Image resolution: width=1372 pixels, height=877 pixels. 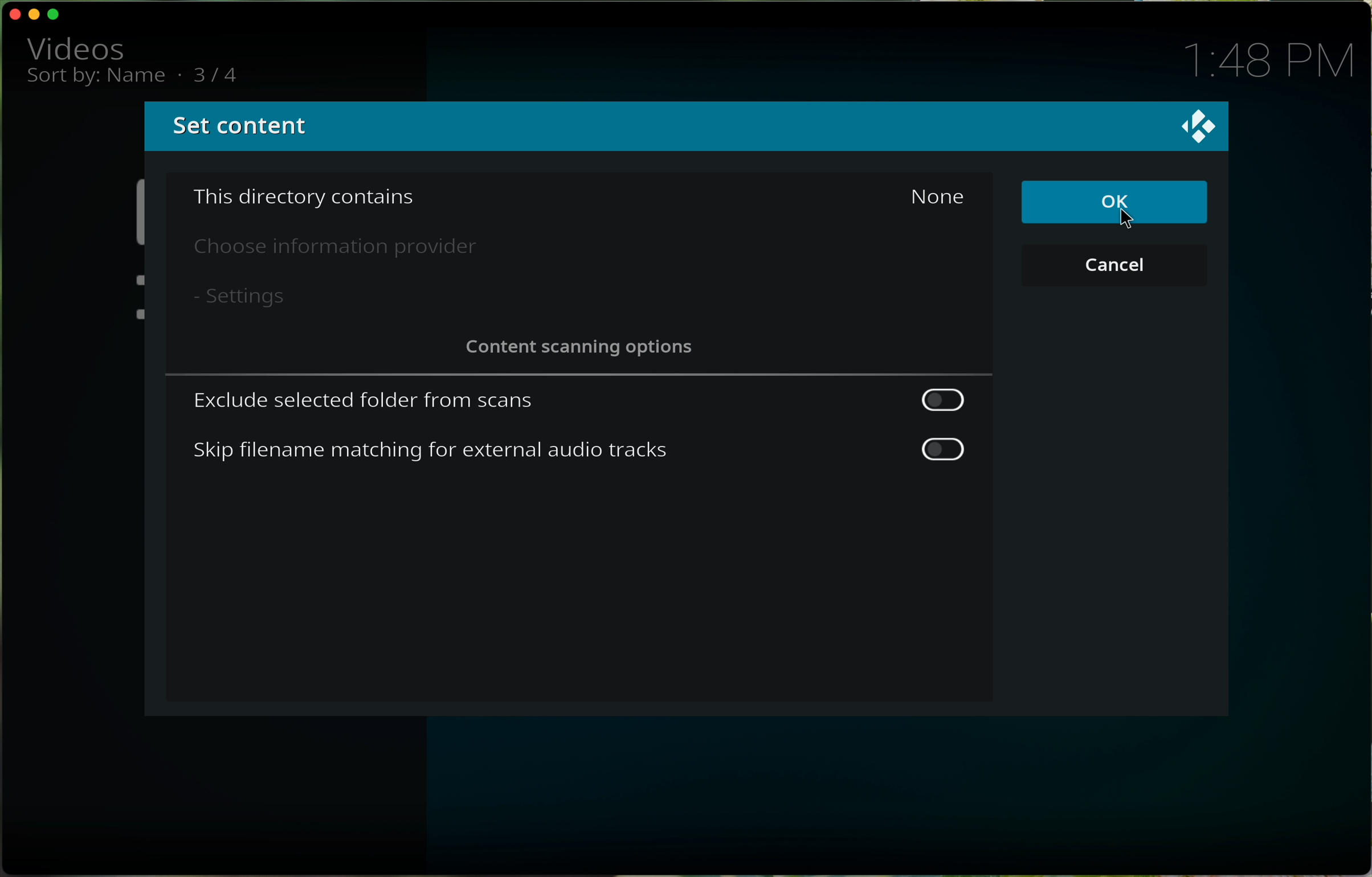 What do you see at coordinates (57, 15) in the screenshot?
I see `maximise` at bounding box center [57, 15].